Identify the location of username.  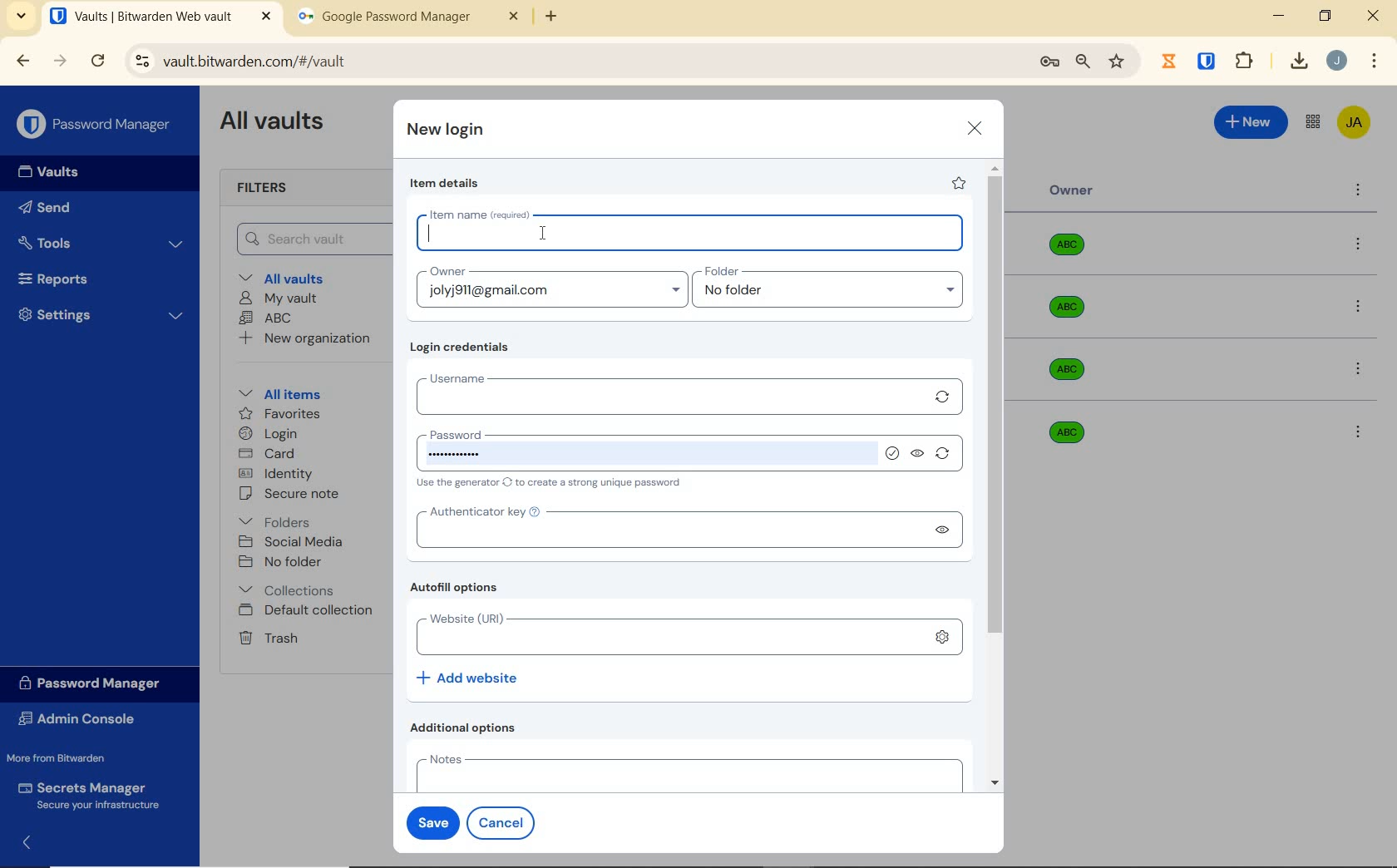
(665, 396).